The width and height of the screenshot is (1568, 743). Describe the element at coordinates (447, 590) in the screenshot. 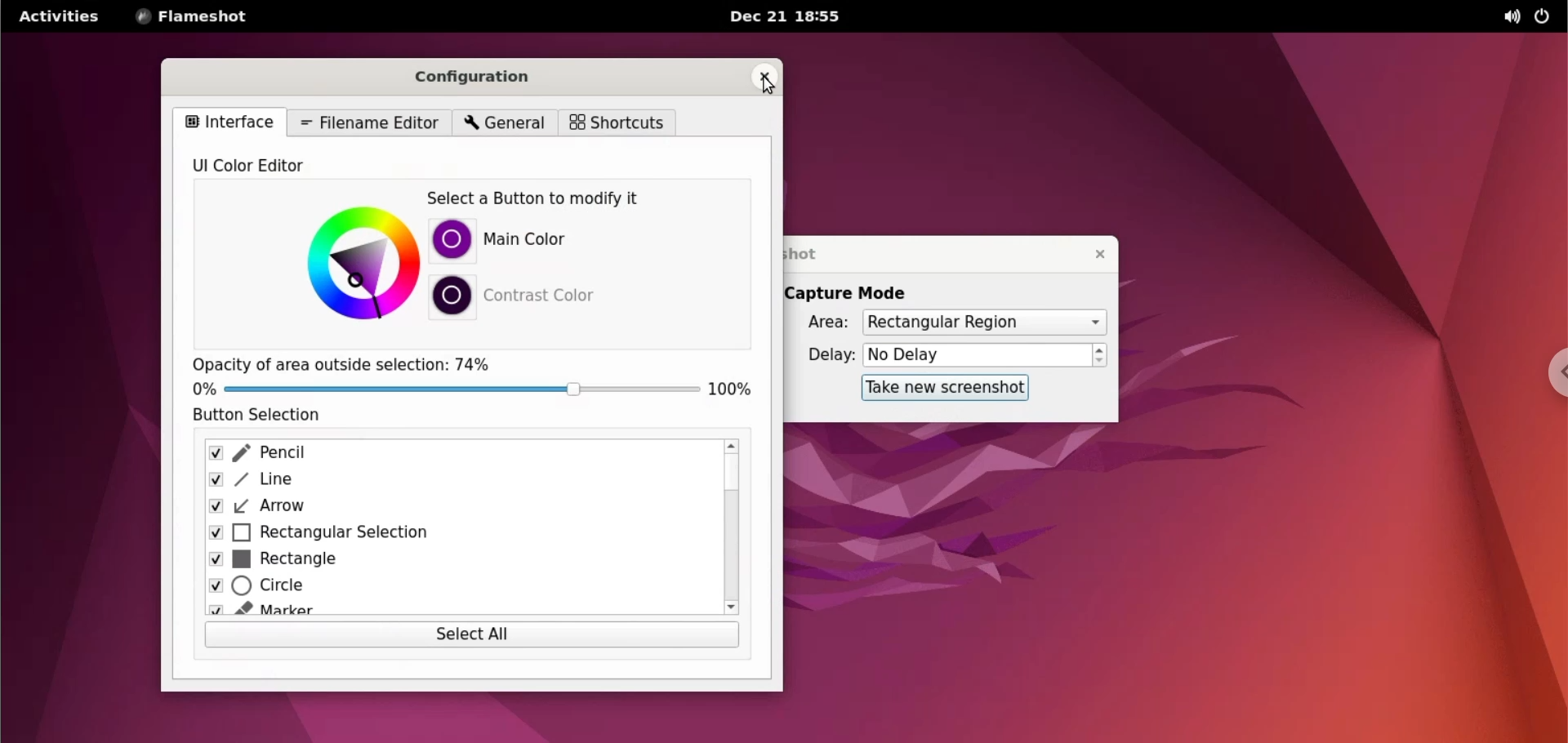

I see `circle` at that location.